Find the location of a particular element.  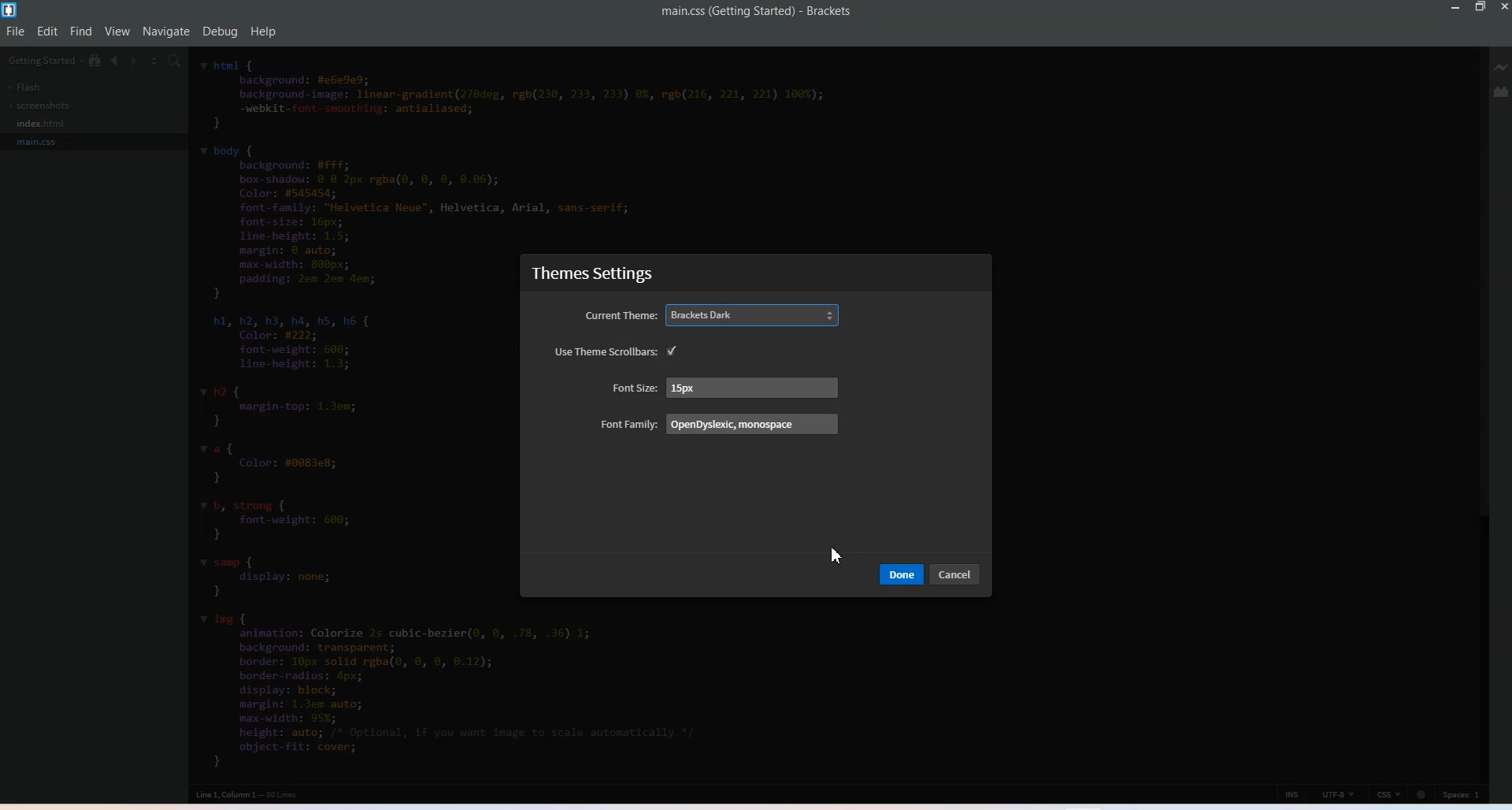

Font sites is located at coordinates (721, 388).